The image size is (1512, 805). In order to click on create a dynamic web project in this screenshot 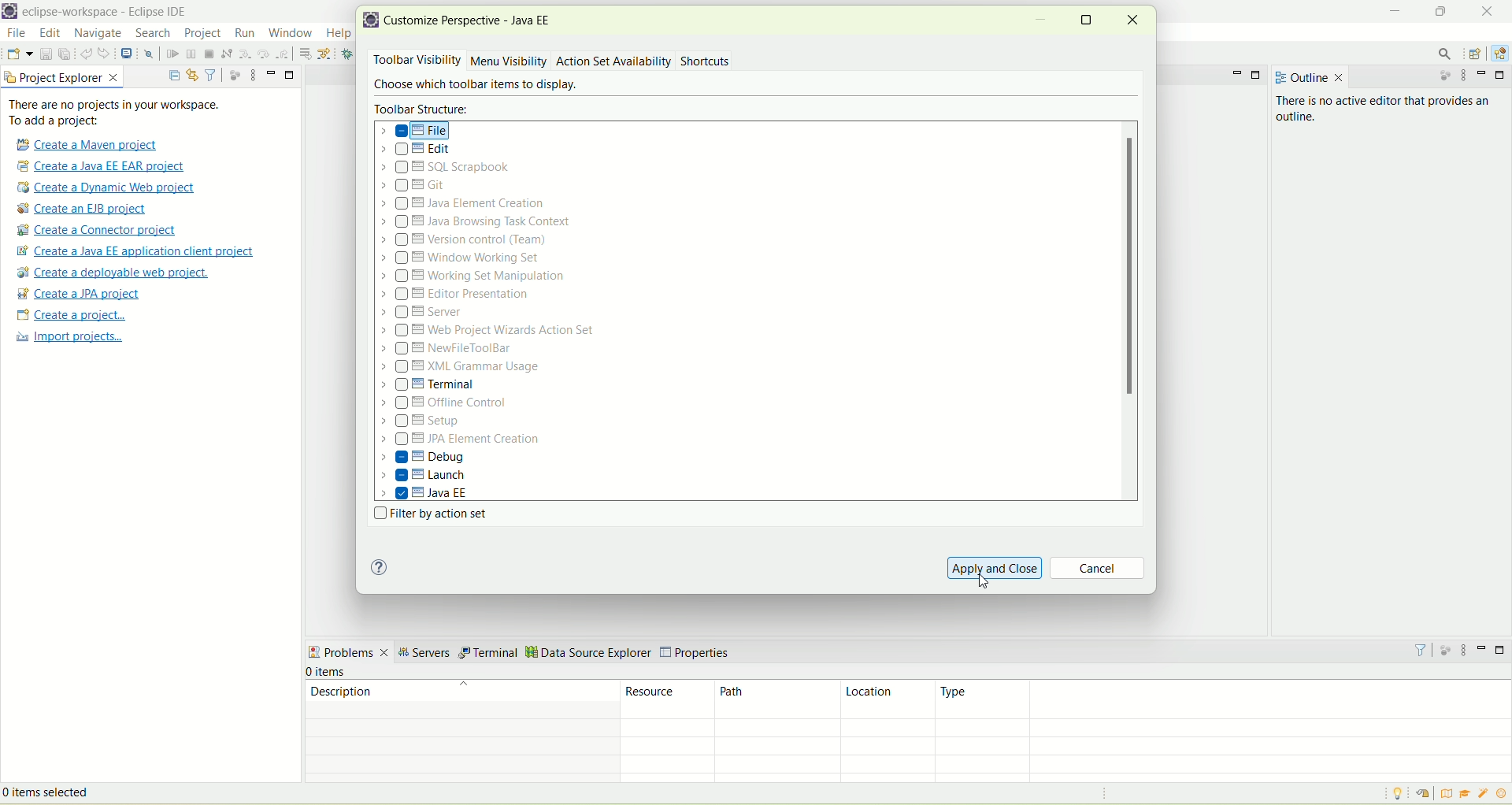, I will do `click(109, 187)`.